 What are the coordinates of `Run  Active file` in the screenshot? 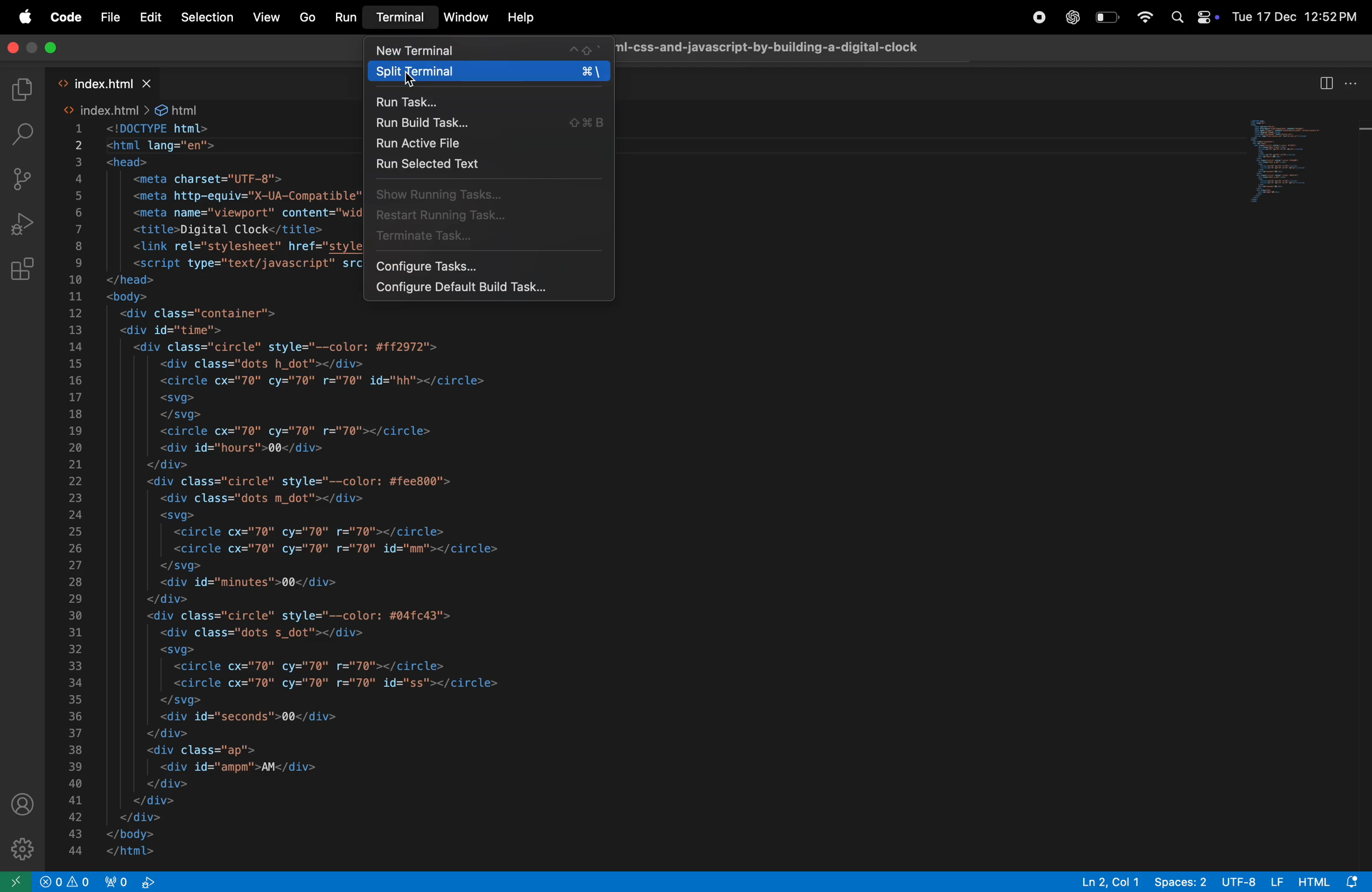 It's located at (489, 143).